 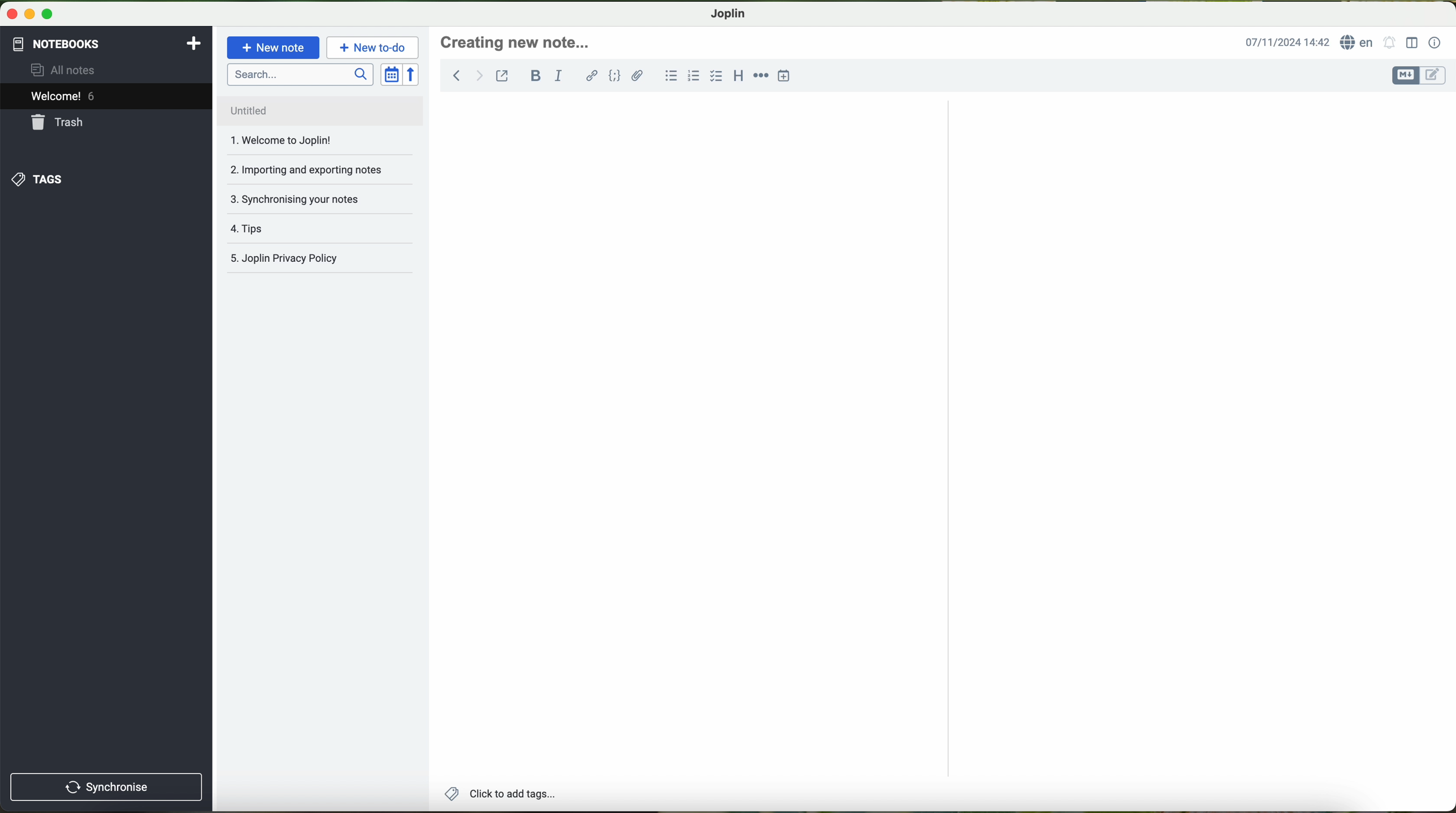 What do you see at coordinates (694, 77) in the screenshot?
I see `numbered list` at bounding box center [694, 77].